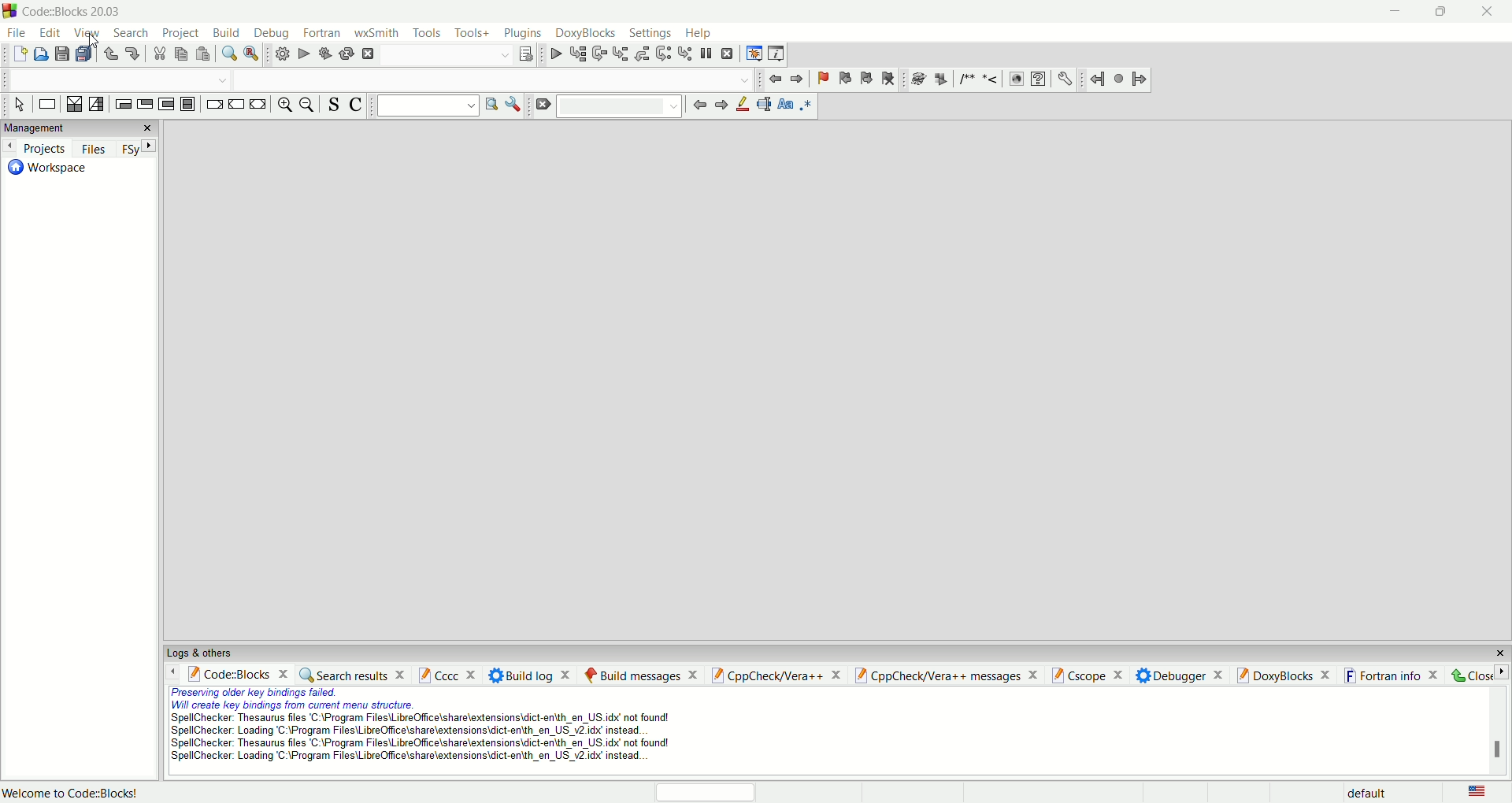 The width and height of the screenshot is (1512, 803). I want to click on project, so click(180, 33).